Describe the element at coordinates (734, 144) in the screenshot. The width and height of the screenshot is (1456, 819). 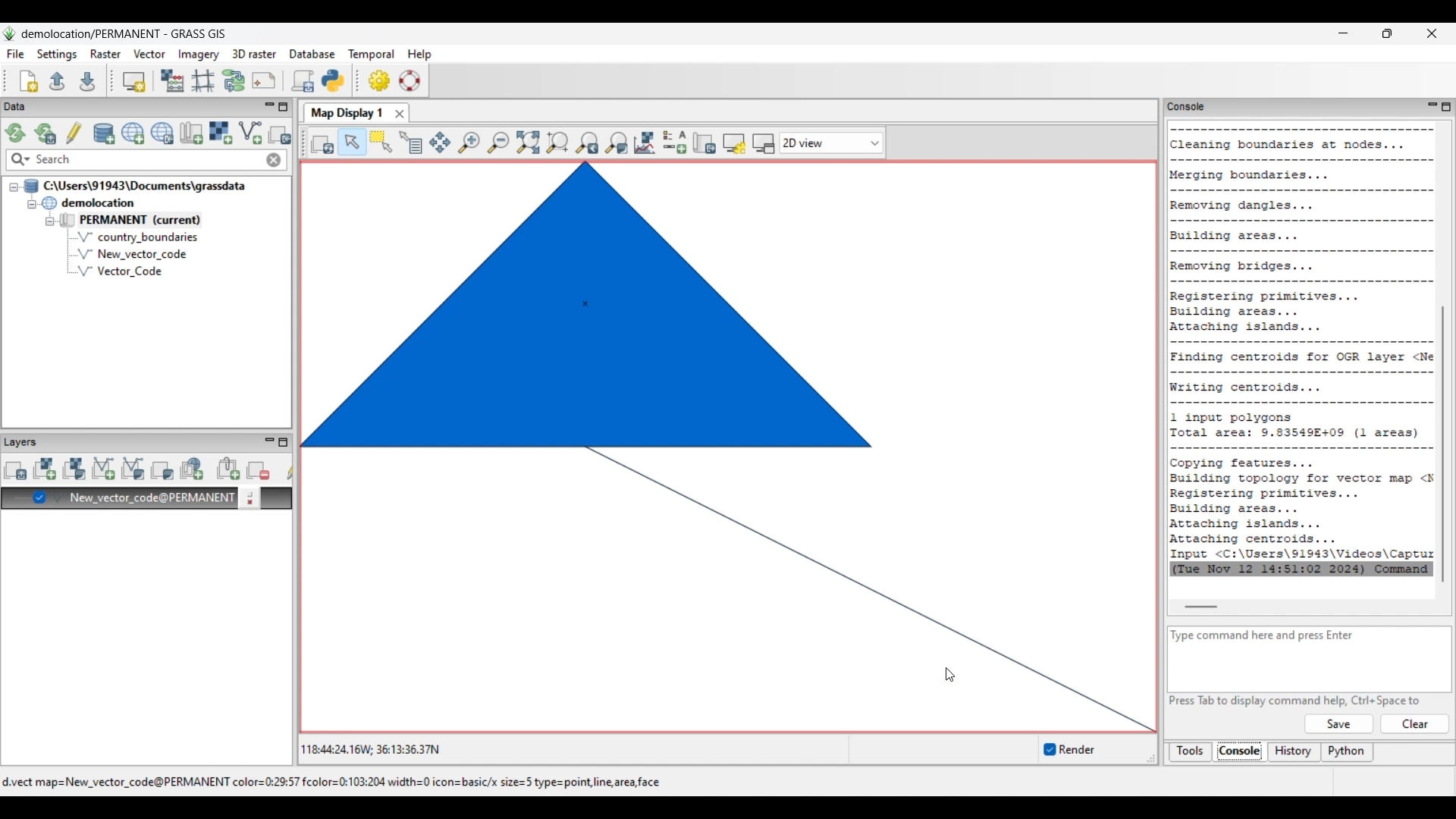
I see `Map display settings` at that location.